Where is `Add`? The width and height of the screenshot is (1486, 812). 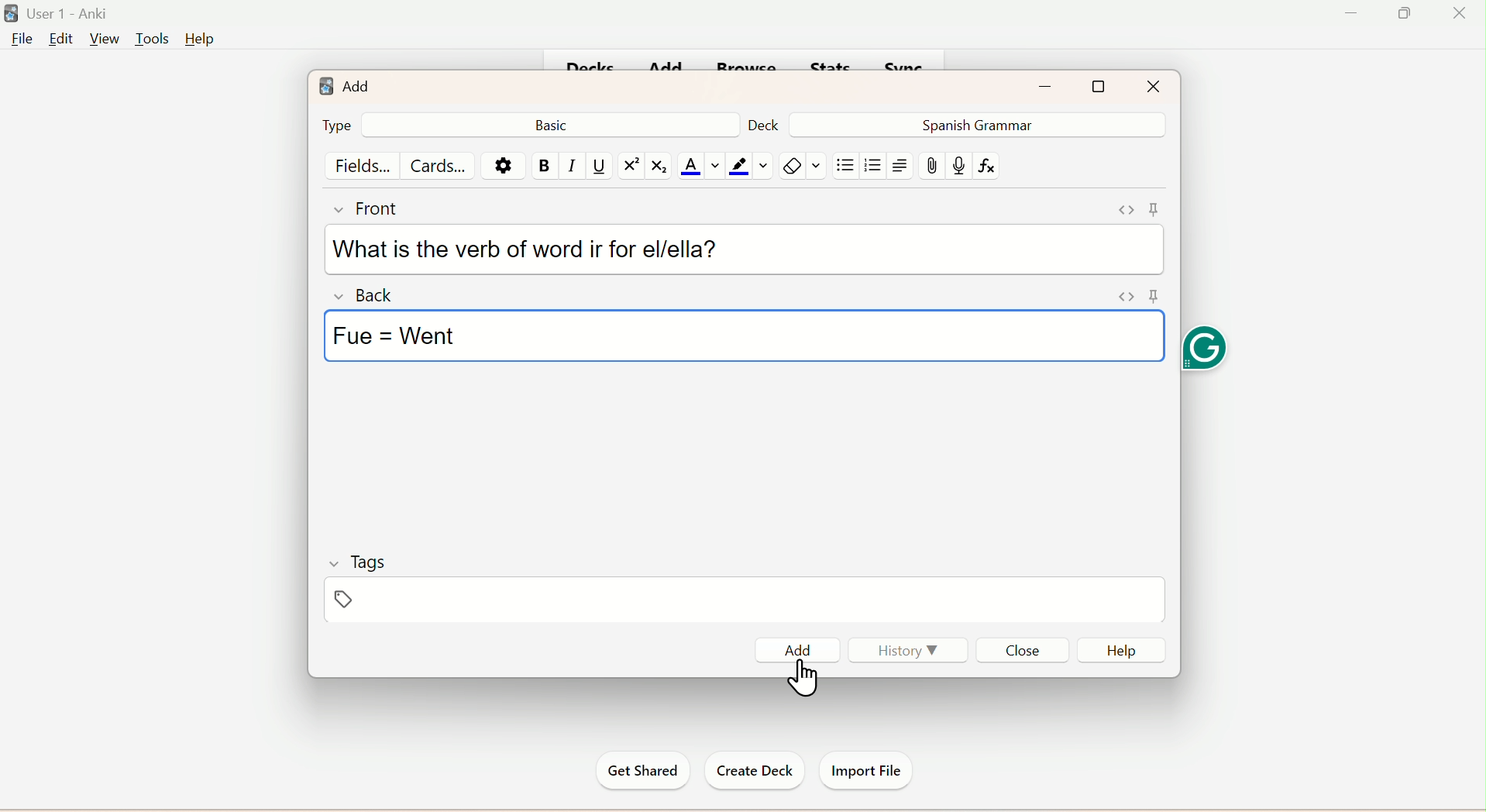 Add is located at coordinates (344, 82).